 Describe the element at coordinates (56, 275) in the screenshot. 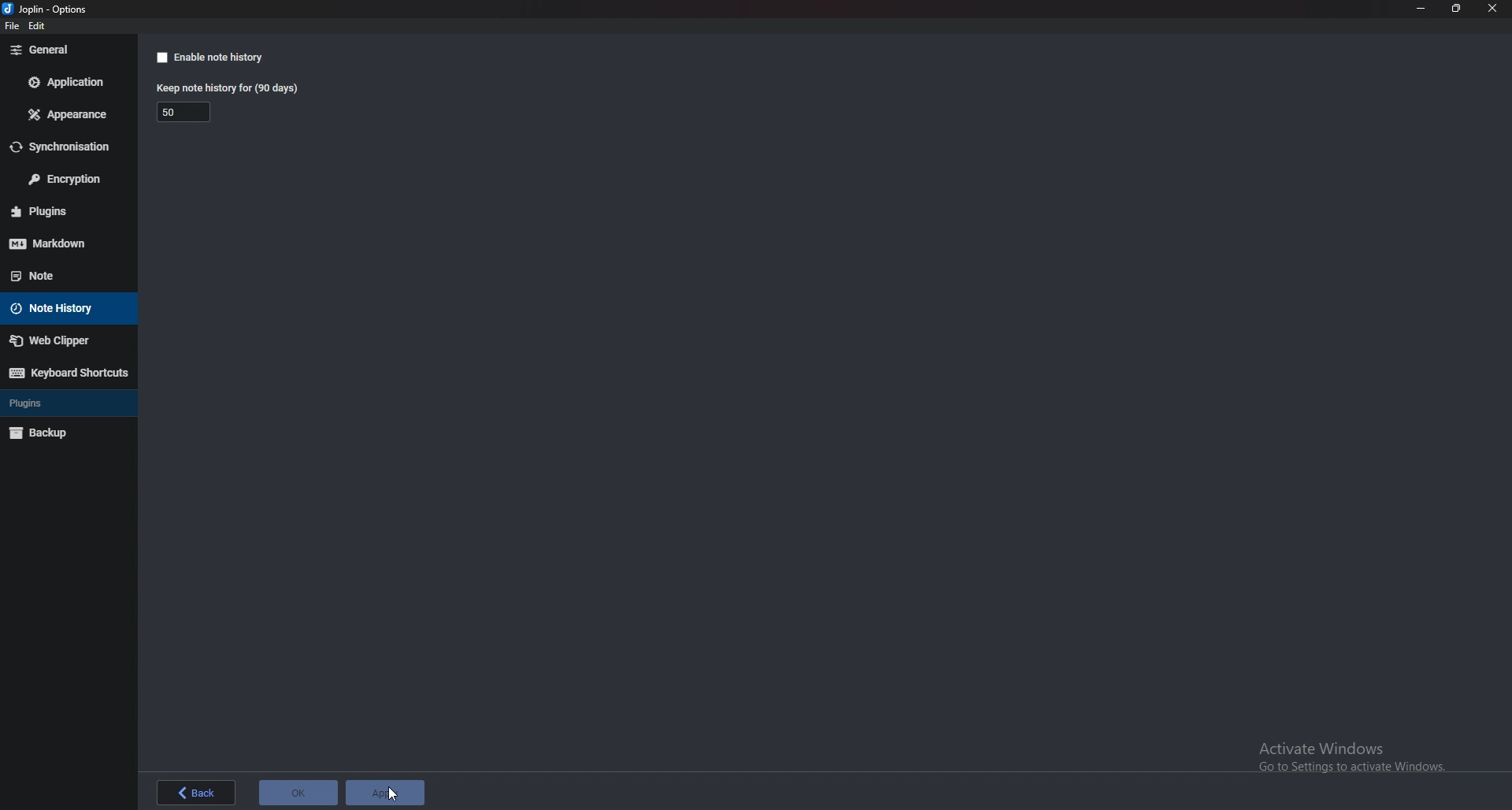

I see `note` at that location.